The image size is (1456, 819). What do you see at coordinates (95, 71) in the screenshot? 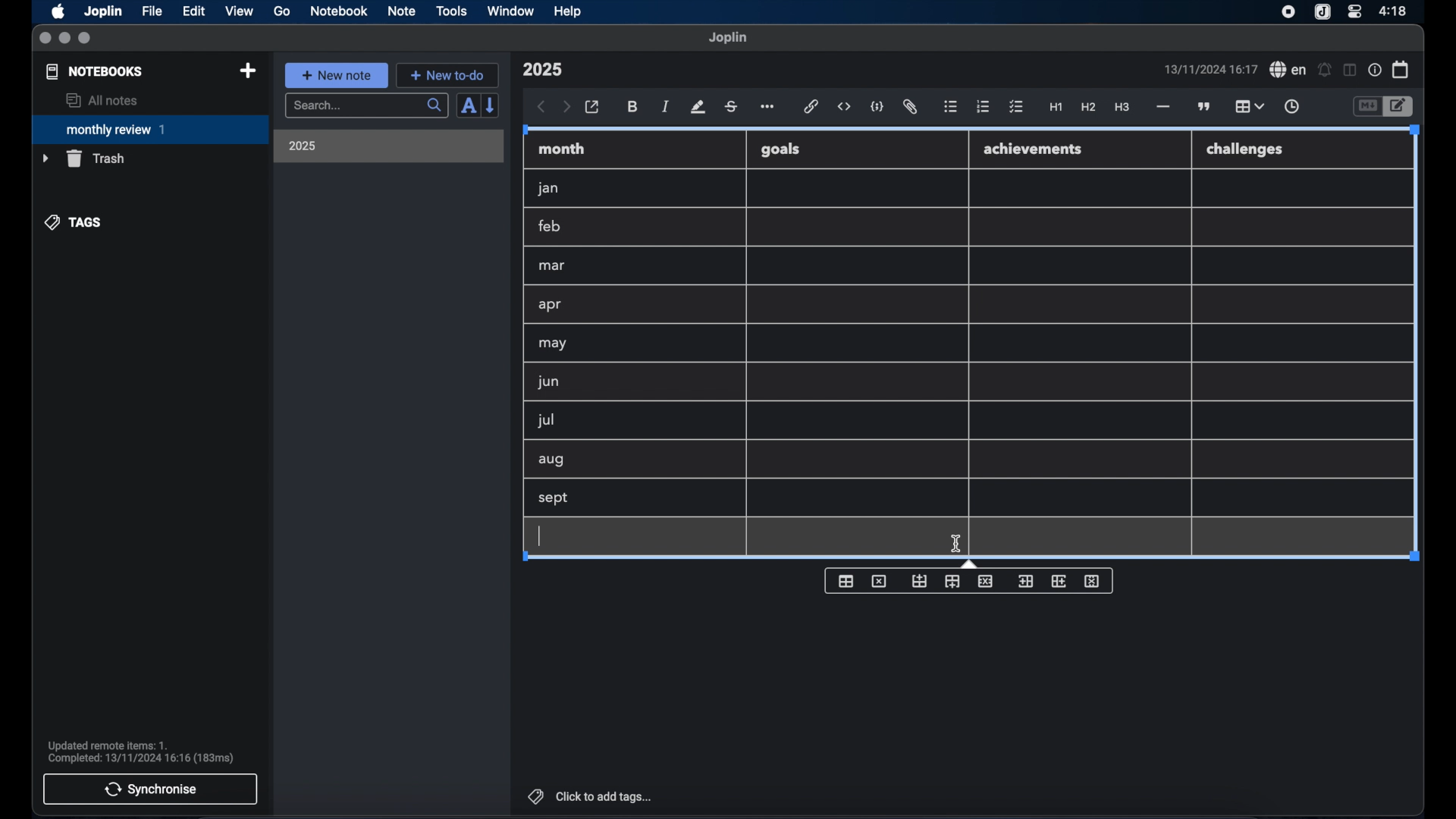
I see `notebooks` at bounding box center [95, 71].